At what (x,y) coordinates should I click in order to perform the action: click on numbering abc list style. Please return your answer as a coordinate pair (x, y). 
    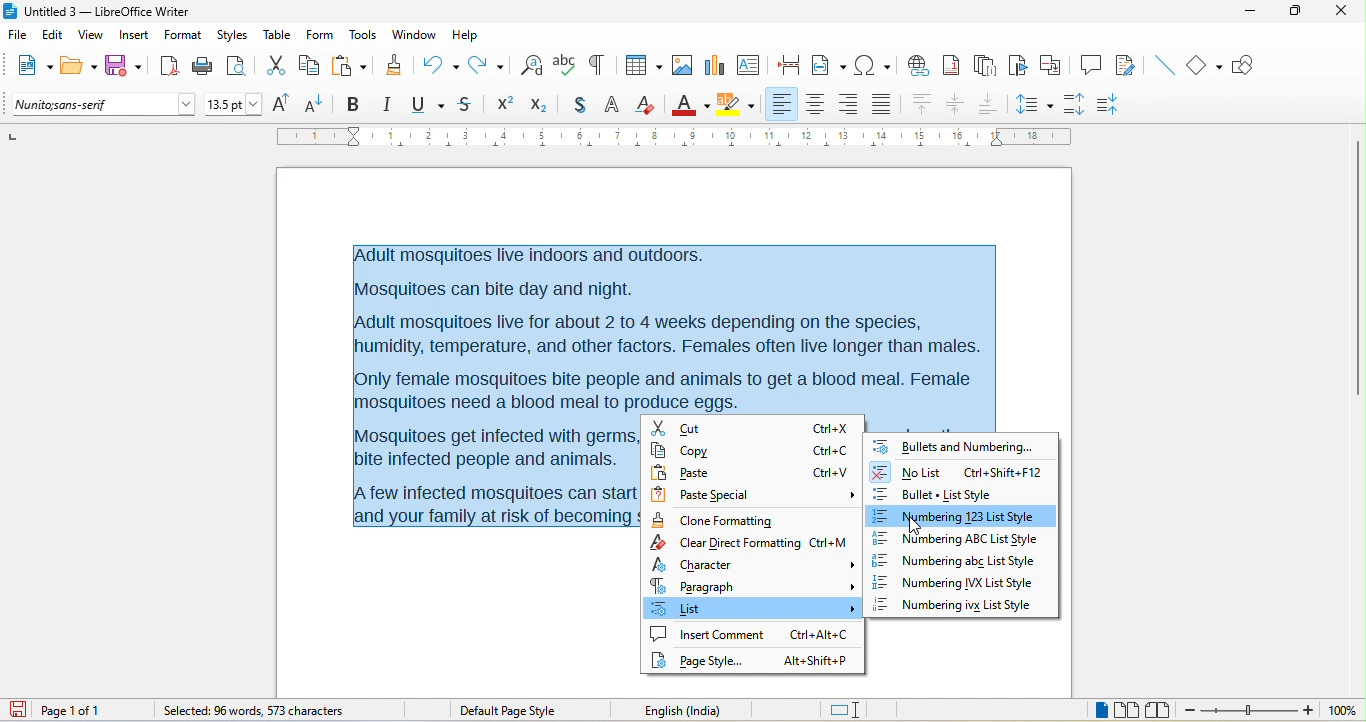
    Looking at the image, I should click on (970, 564).